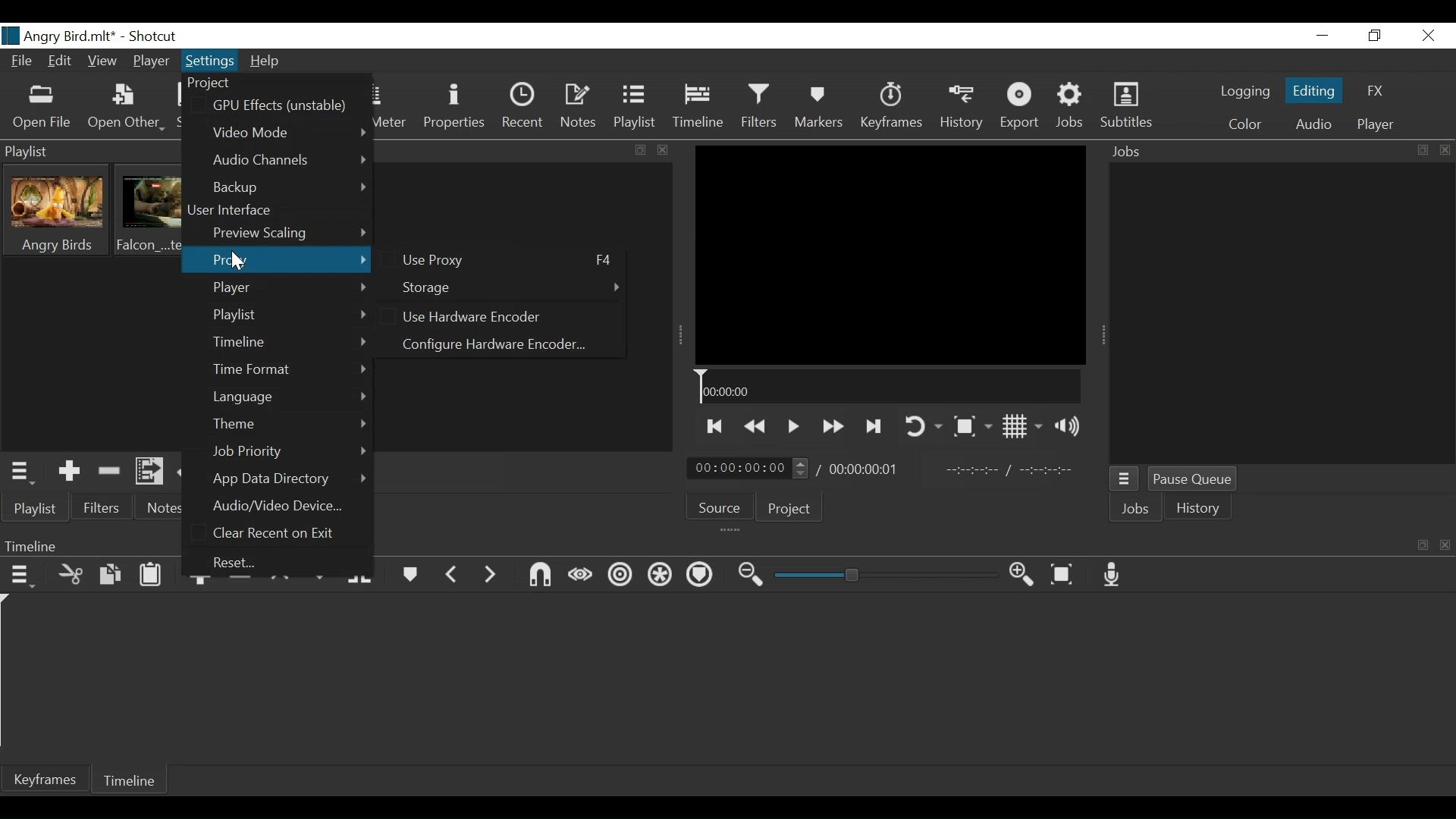  What do you see at coordinates (1021, 106) in the screenshot?
I see `Export` at bounding box center [1021, 106].